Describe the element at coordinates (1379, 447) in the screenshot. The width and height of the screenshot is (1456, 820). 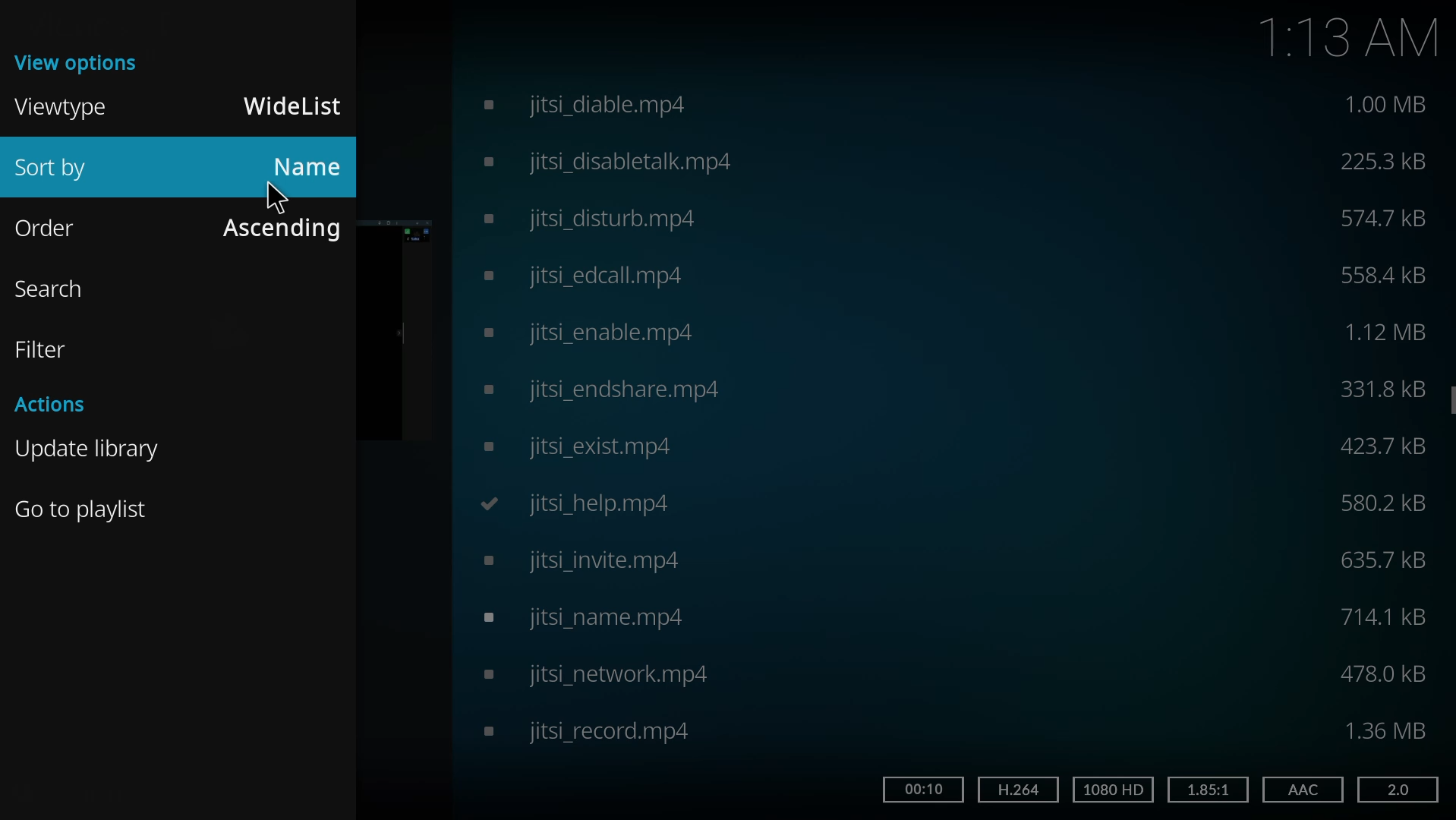
I see `size` at that location.